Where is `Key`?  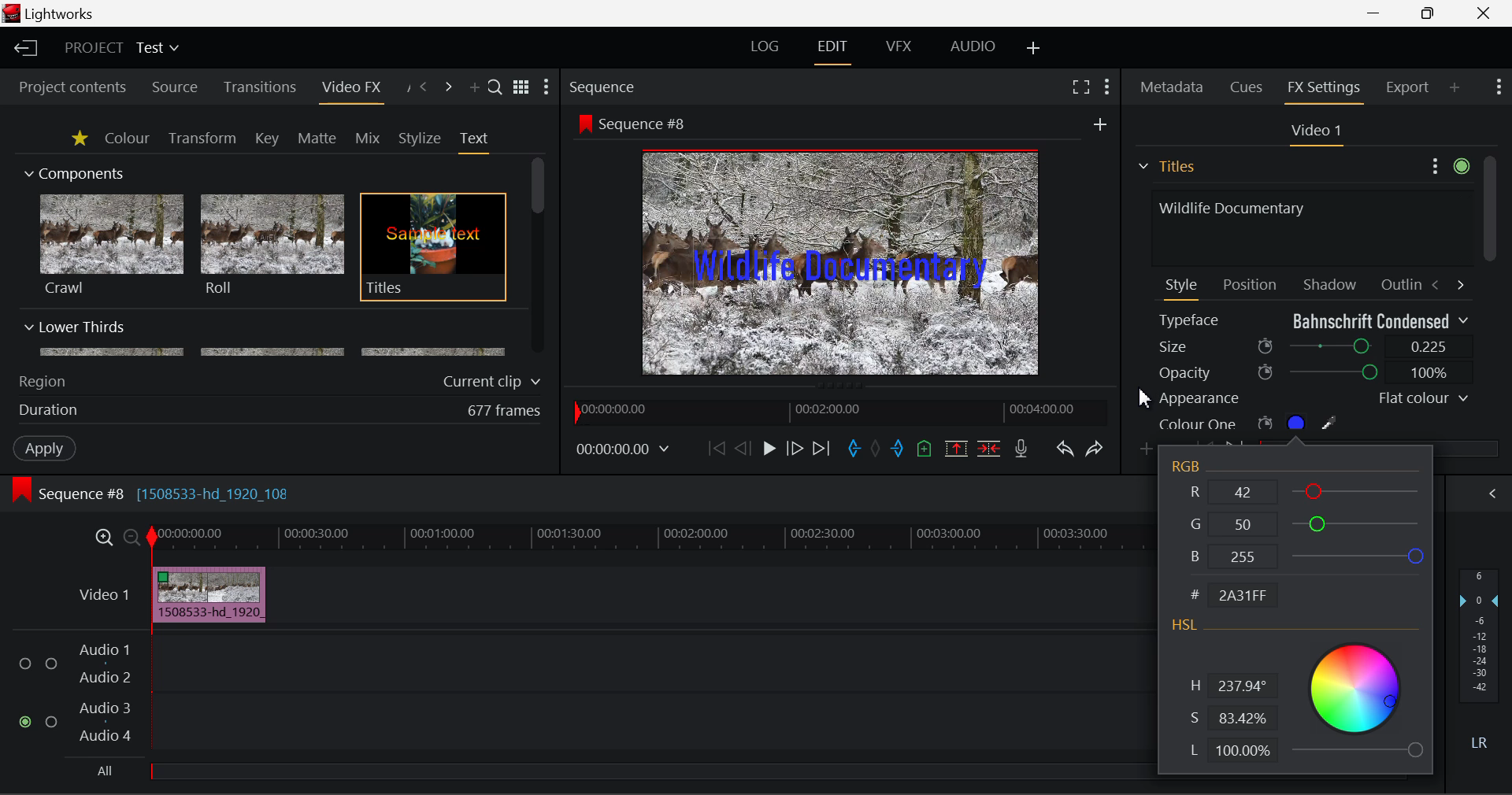 Key is located at coordinates (269, 139).